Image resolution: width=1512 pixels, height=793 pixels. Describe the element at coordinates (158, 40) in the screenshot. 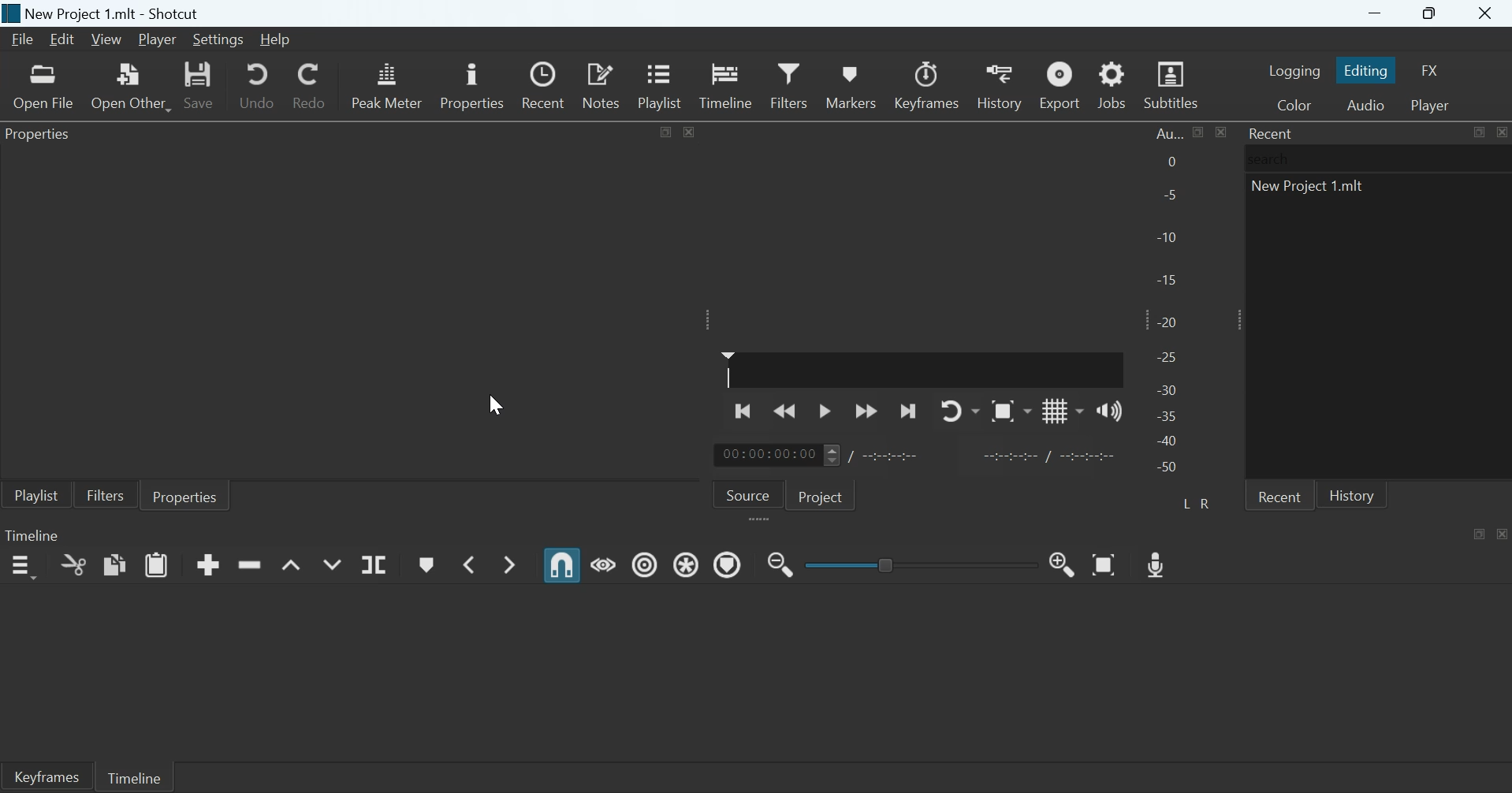

I see `Player` at that location.